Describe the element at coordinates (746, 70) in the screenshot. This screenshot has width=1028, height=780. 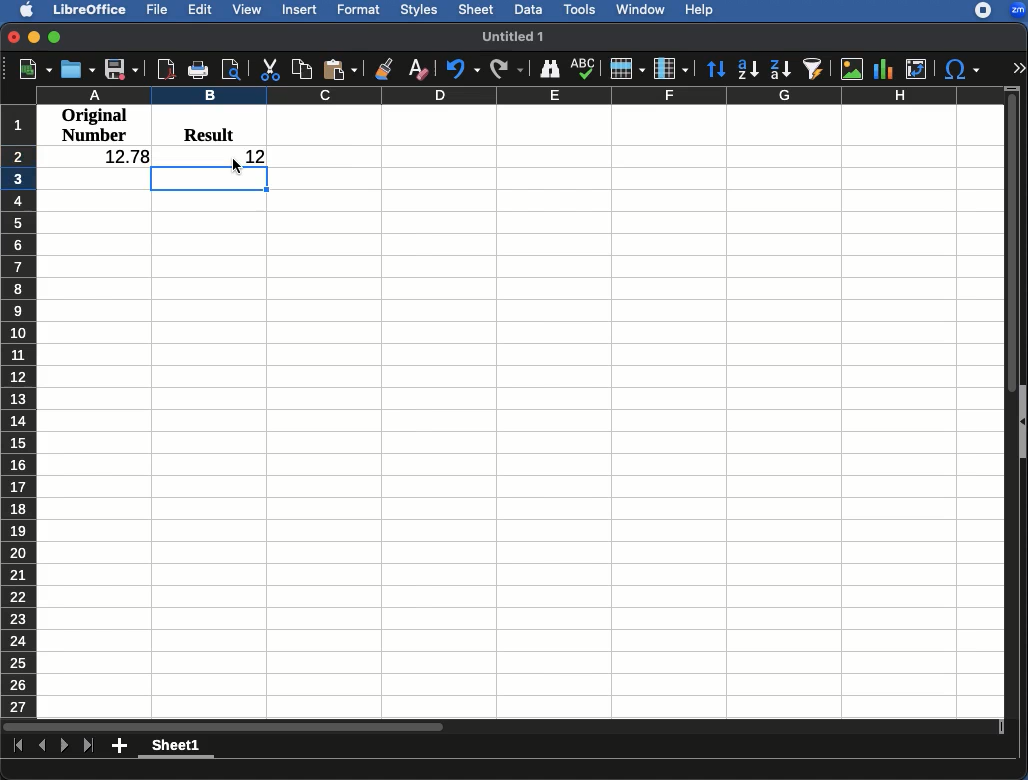
I see `Ascending` at that location.